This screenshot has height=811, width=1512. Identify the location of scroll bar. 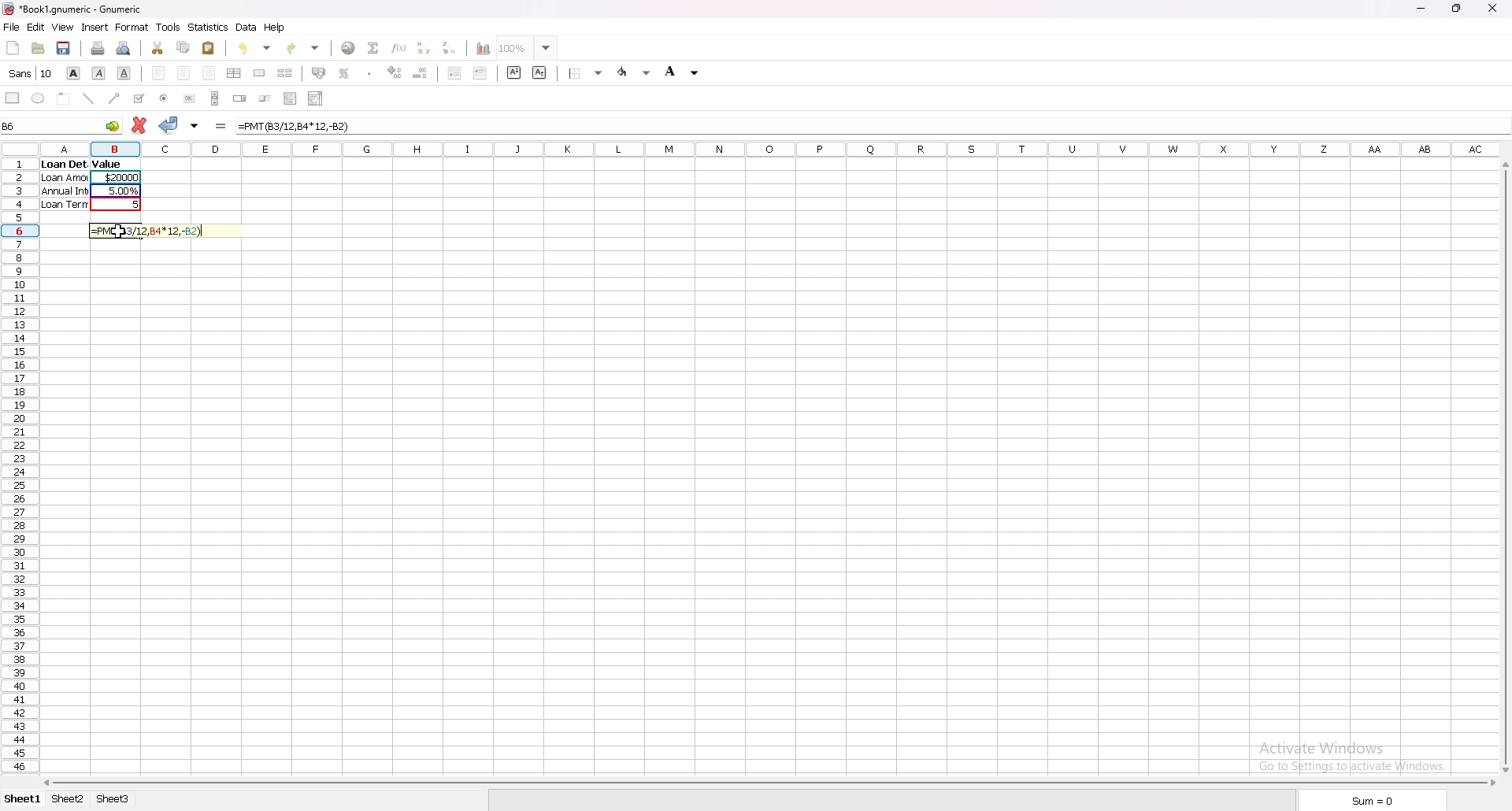
(768, 783).